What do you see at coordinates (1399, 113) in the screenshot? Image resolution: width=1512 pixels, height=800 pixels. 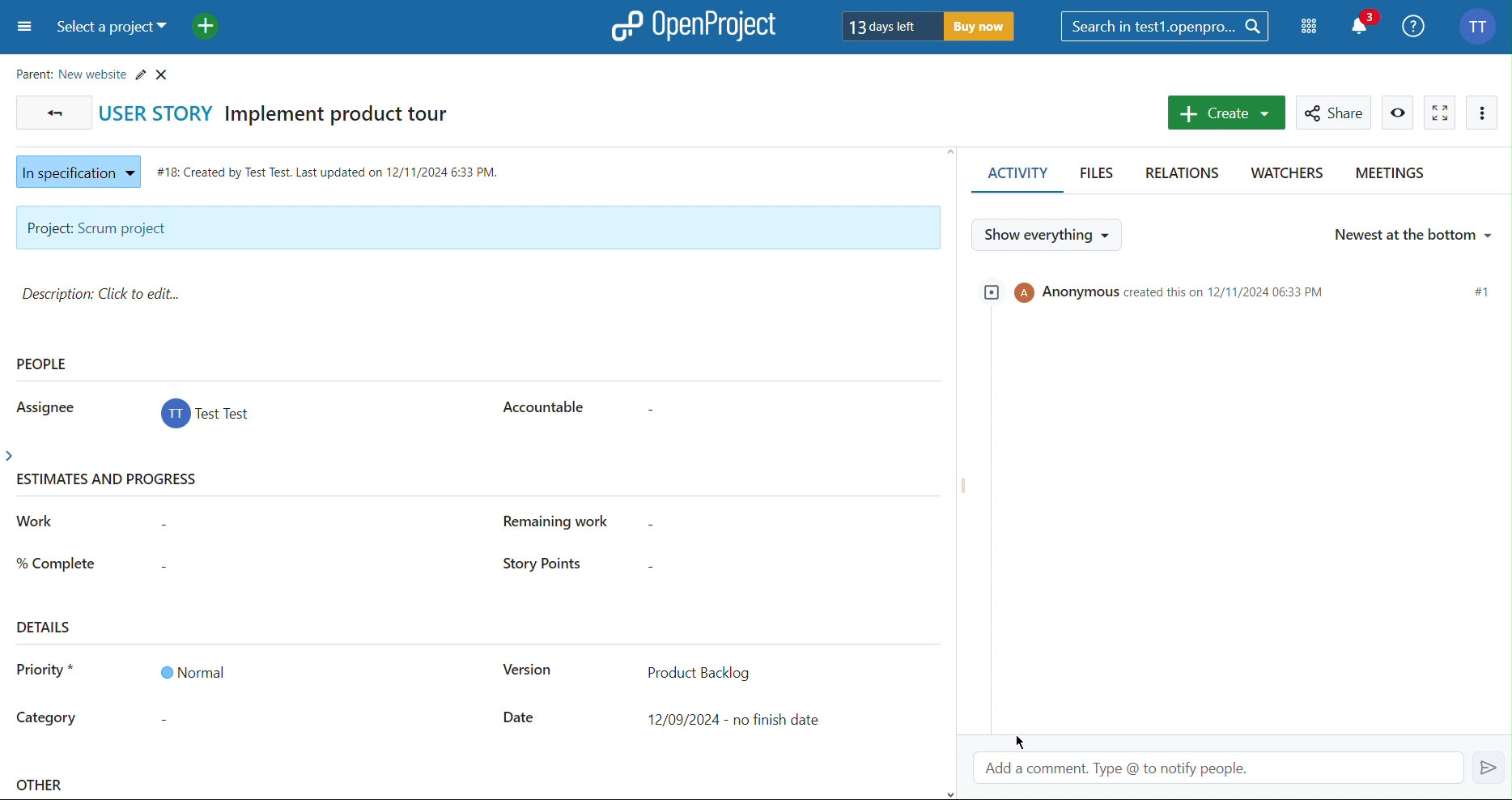 I see `View` at bounding box center [1399, 113].